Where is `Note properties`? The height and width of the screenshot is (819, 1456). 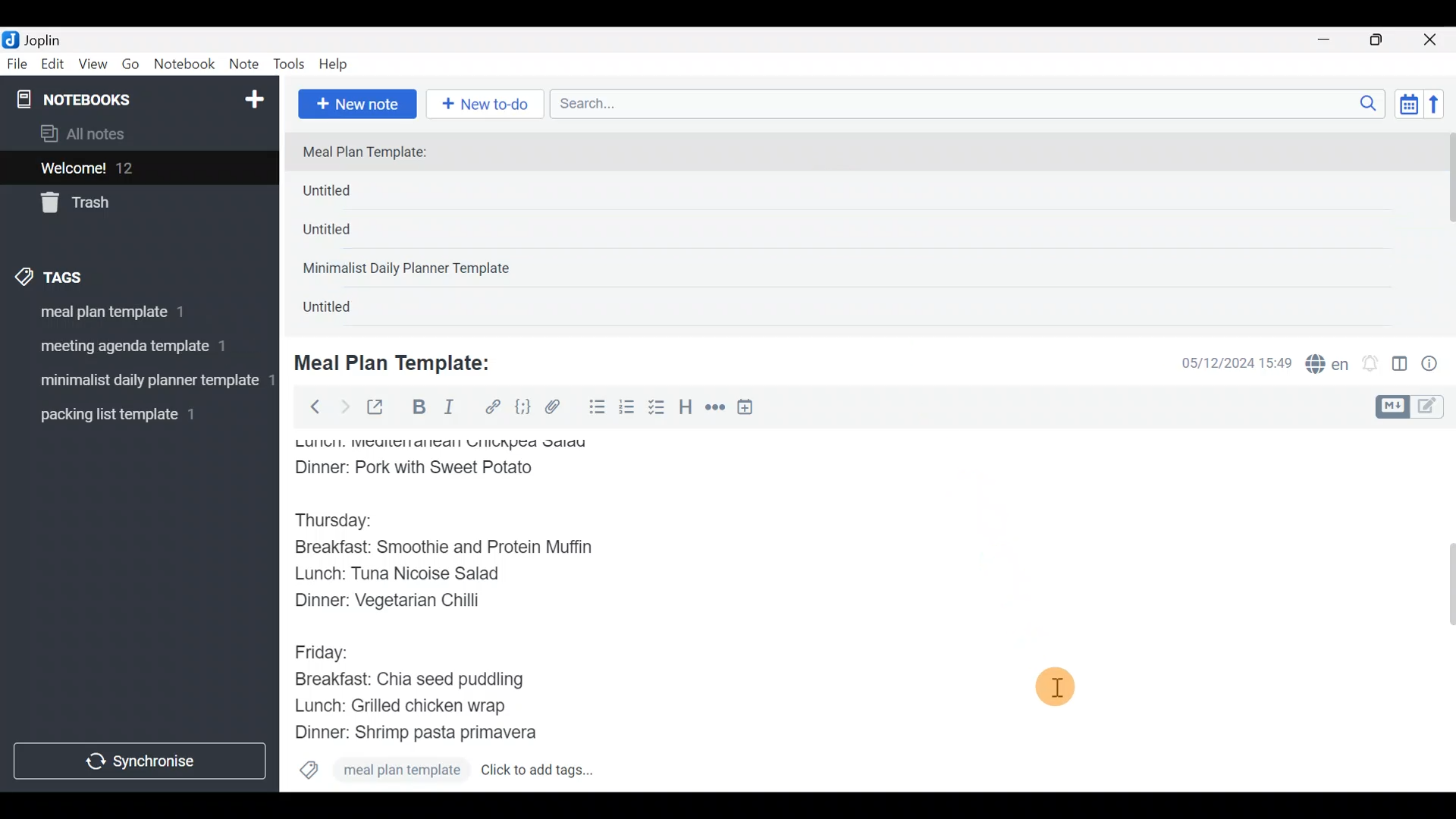
Note properties is located at coordinates (1436, 365).